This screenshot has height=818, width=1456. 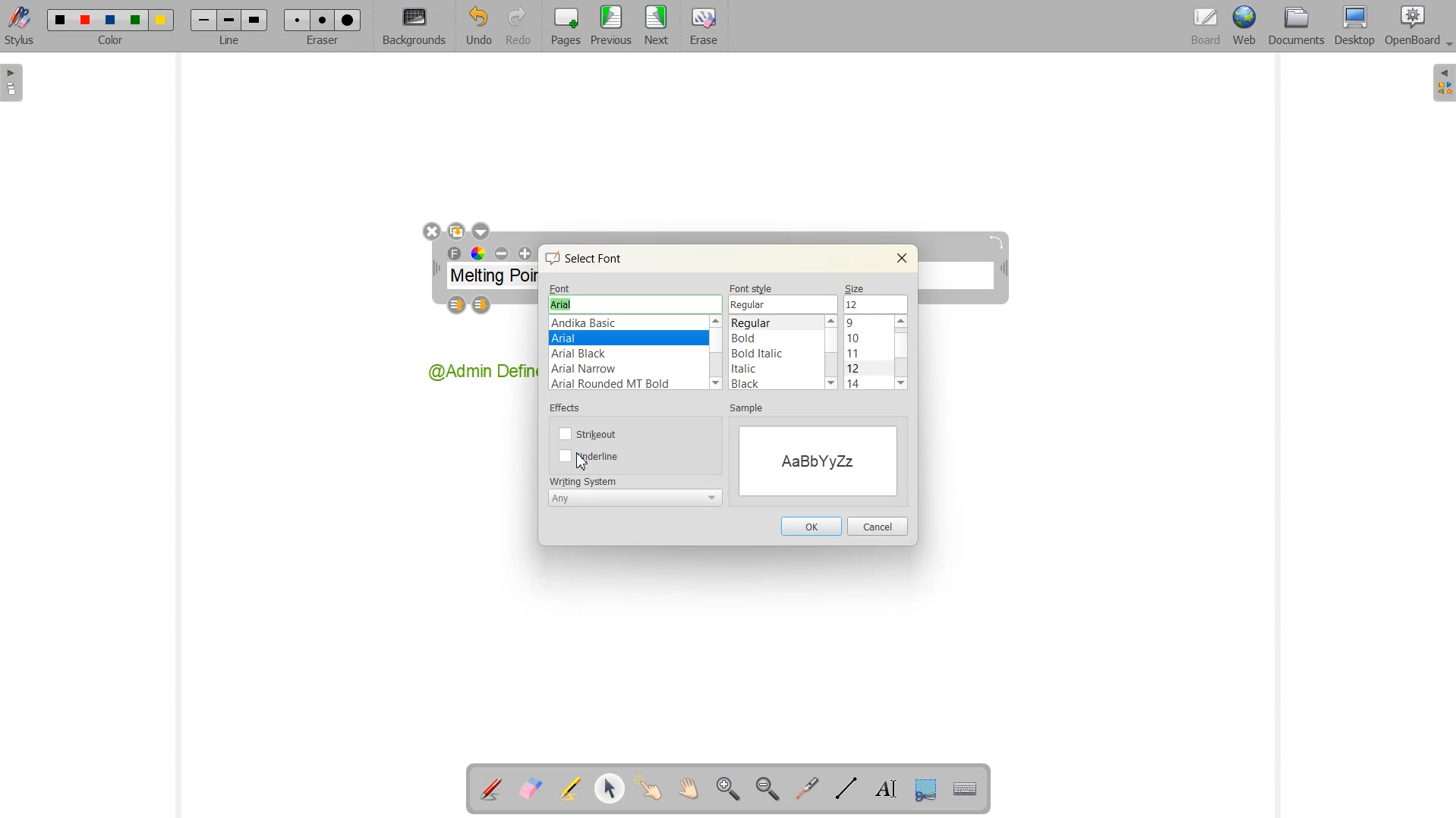 I want to click on @Admin Define task Melting point, so click(x=481, y=373).